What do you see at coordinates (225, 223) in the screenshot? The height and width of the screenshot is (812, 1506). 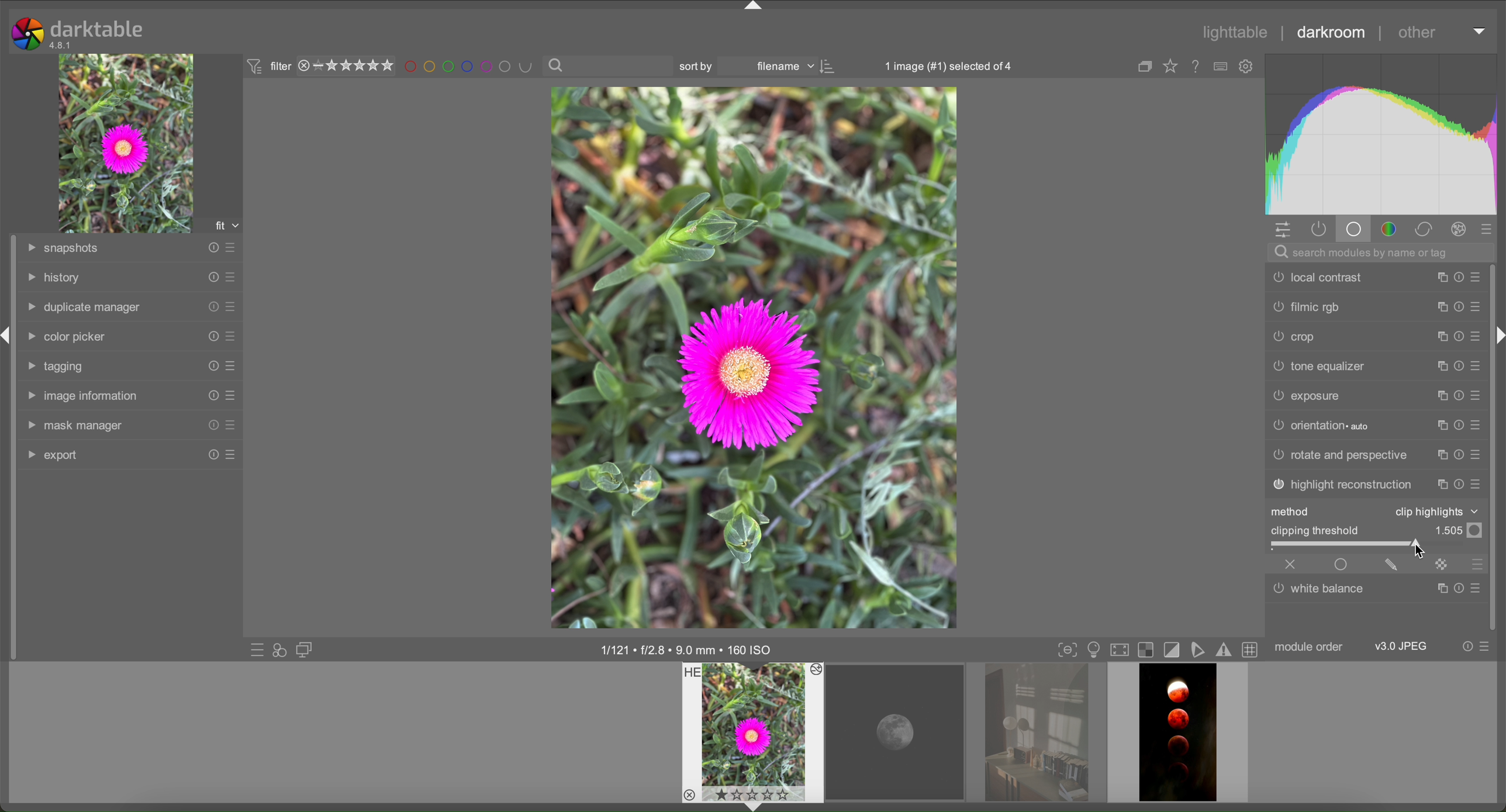 I see `fit` at bounding box center [225, 223].